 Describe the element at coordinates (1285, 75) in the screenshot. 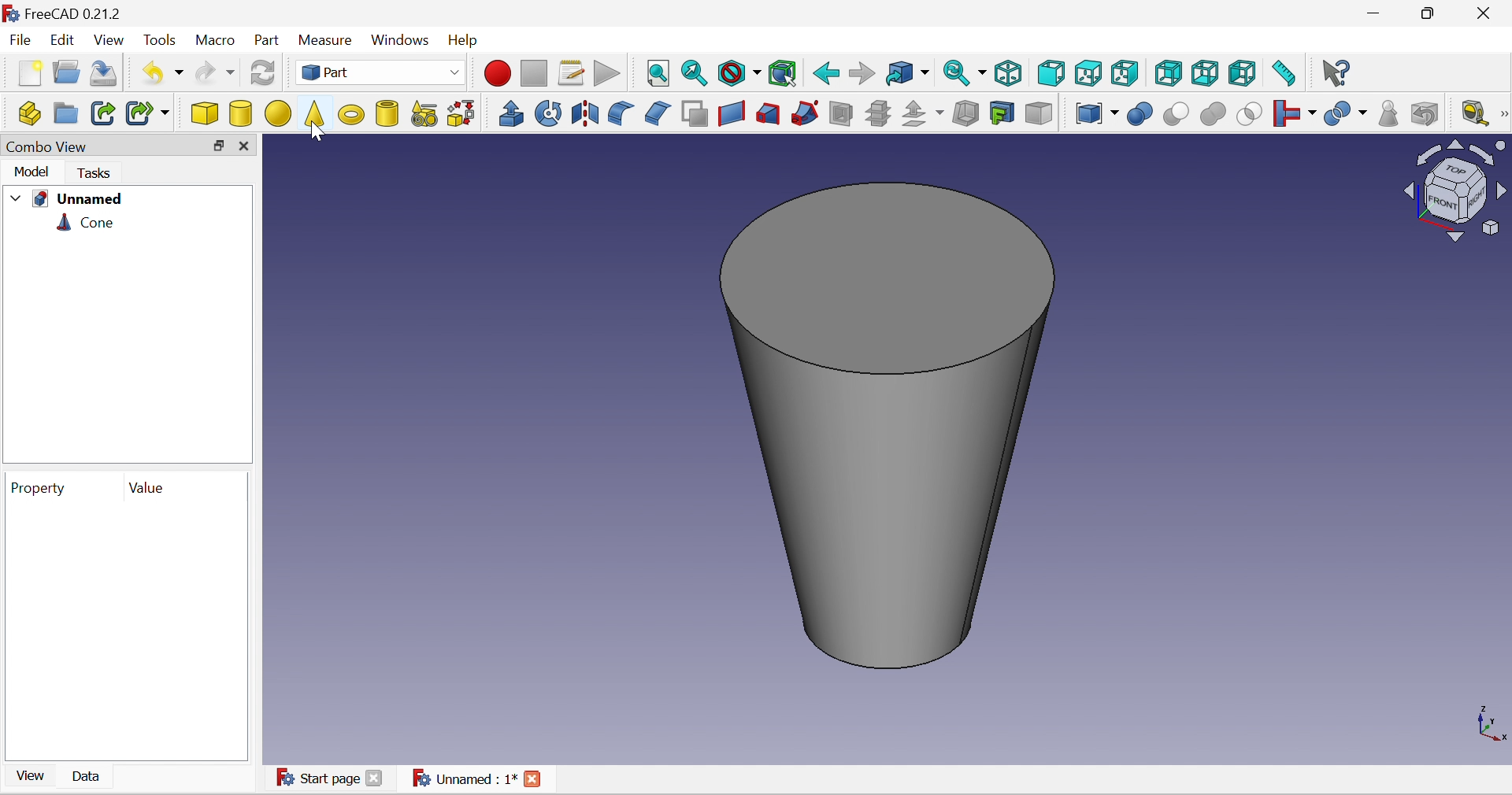

I see `Measure distance` at that location.